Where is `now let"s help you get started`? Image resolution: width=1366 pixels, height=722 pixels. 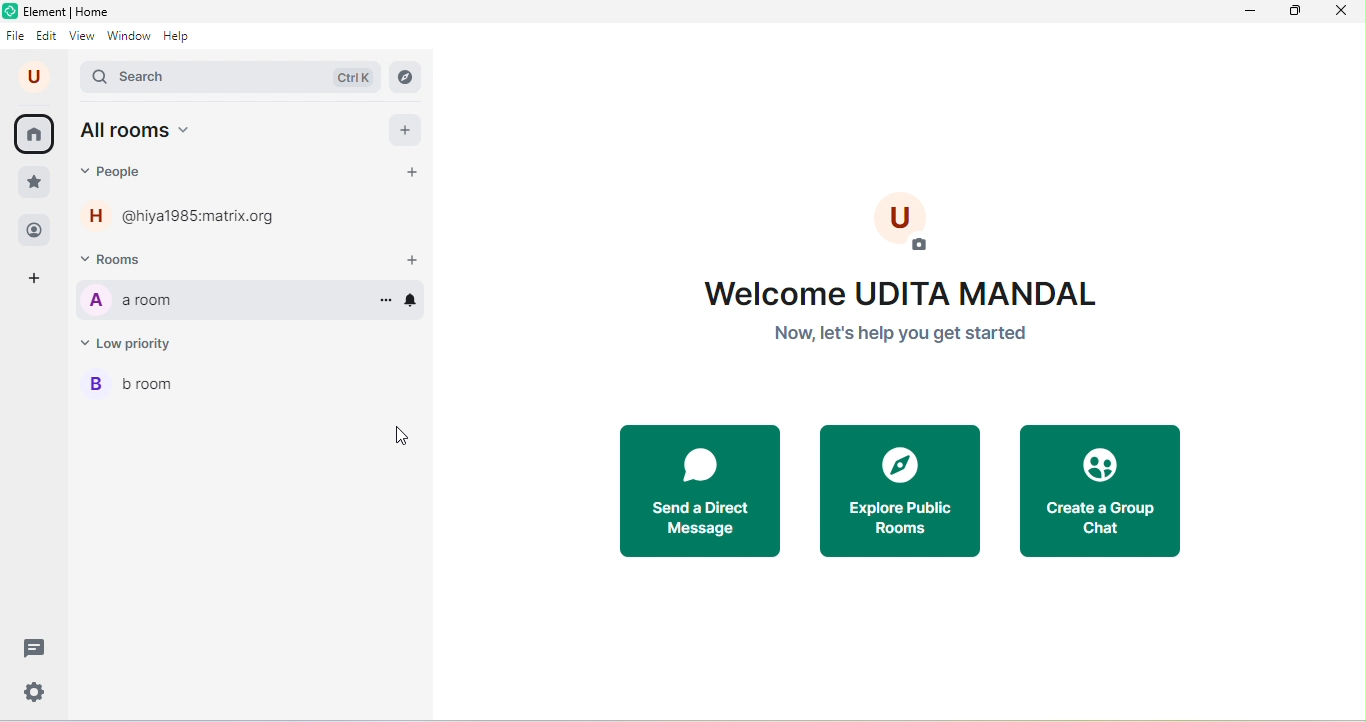
now let"s help you get started is located at coordinates (898, 334).